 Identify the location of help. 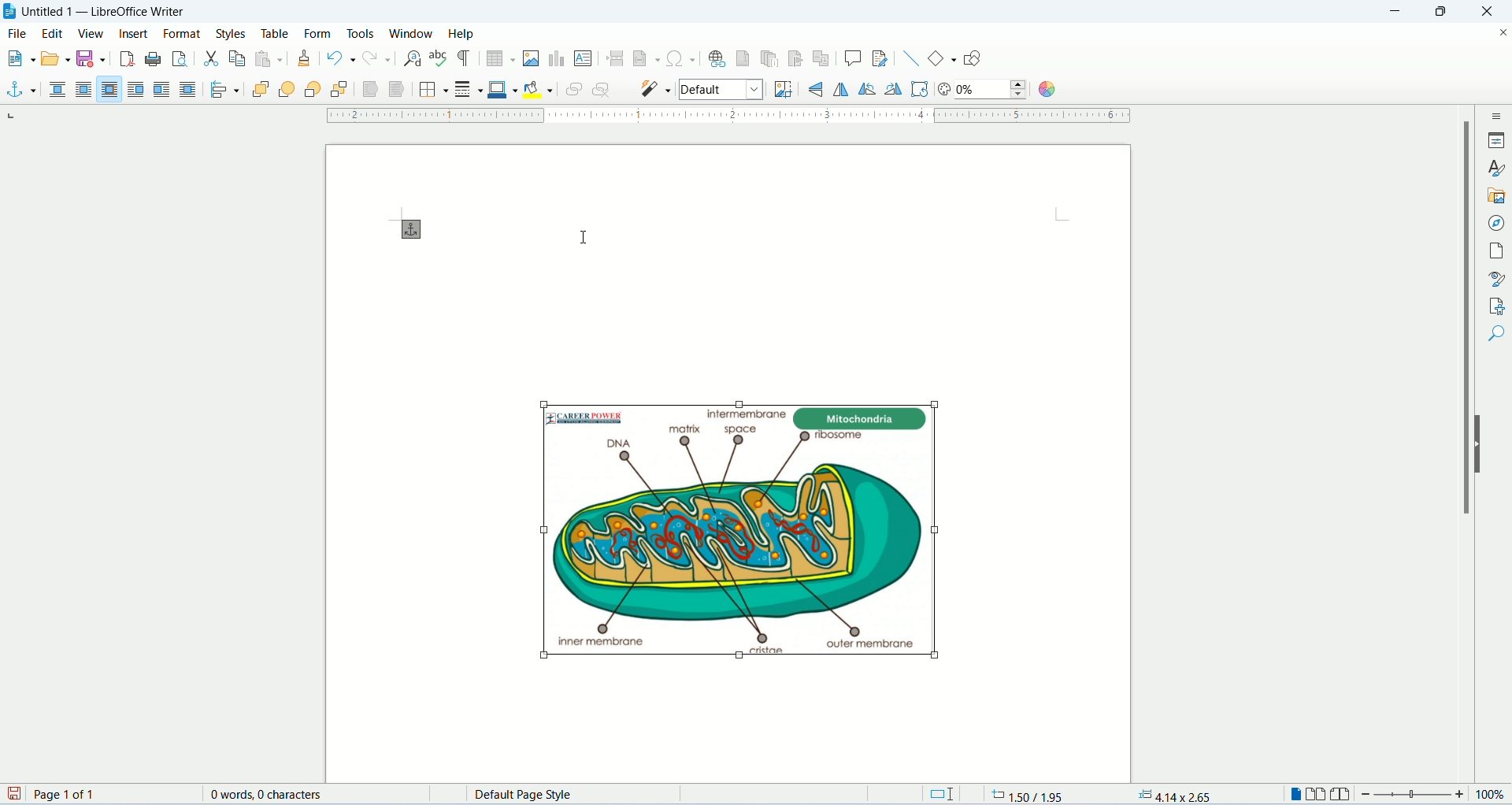
(459, 33).